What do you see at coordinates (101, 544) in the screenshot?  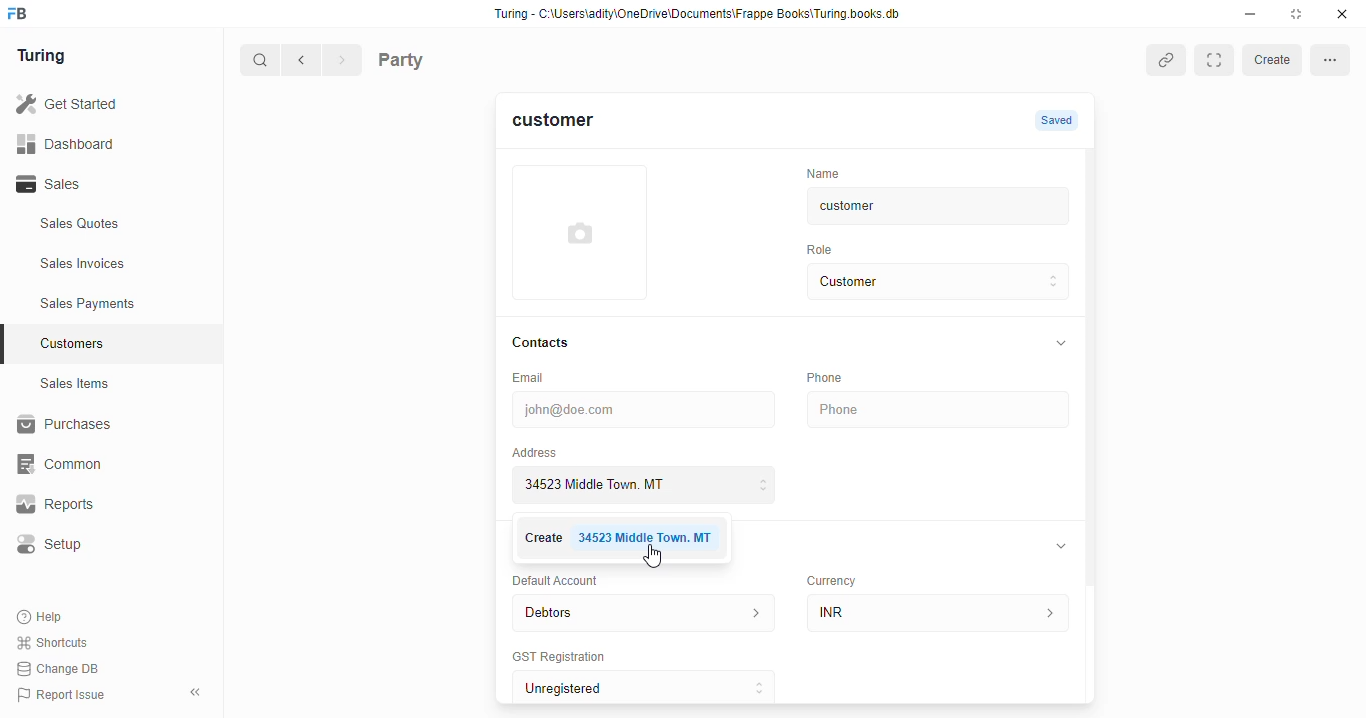 I see `Setup` at bounding box center [101, 544].